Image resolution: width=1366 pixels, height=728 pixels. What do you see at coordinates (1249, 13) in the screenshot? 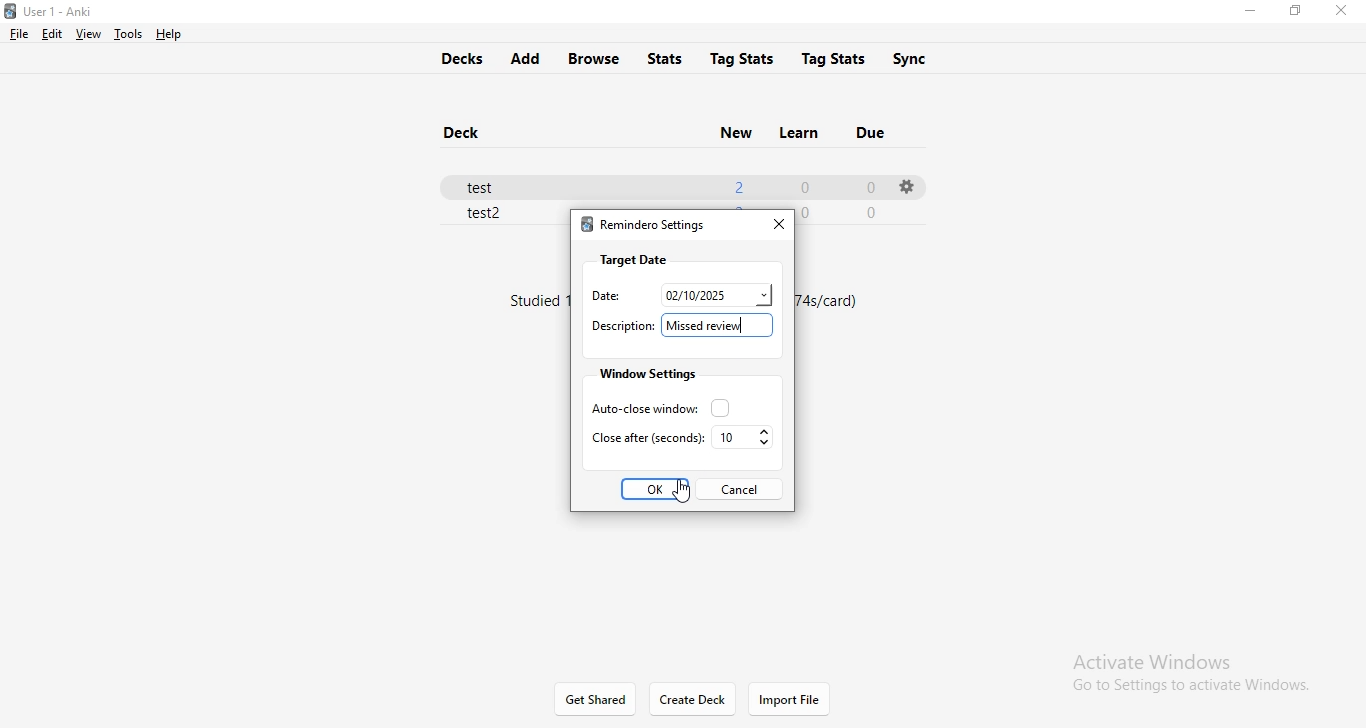
I see `minimise` at bounding box center [1249, 13].